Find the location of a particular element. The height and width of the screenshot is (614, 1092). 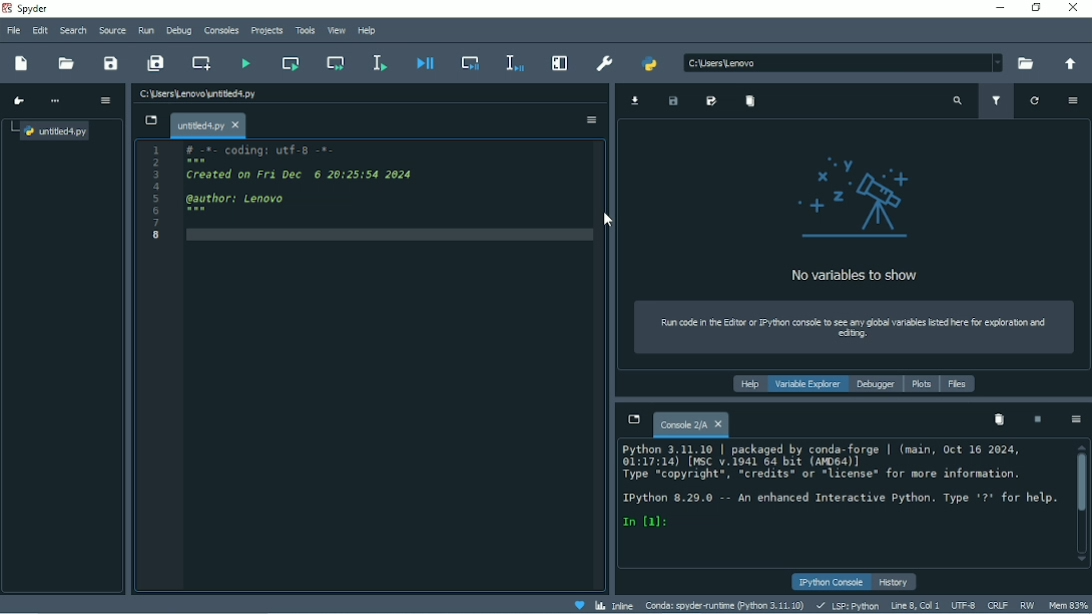

Remove all variables is located at coordinates (748, 101).